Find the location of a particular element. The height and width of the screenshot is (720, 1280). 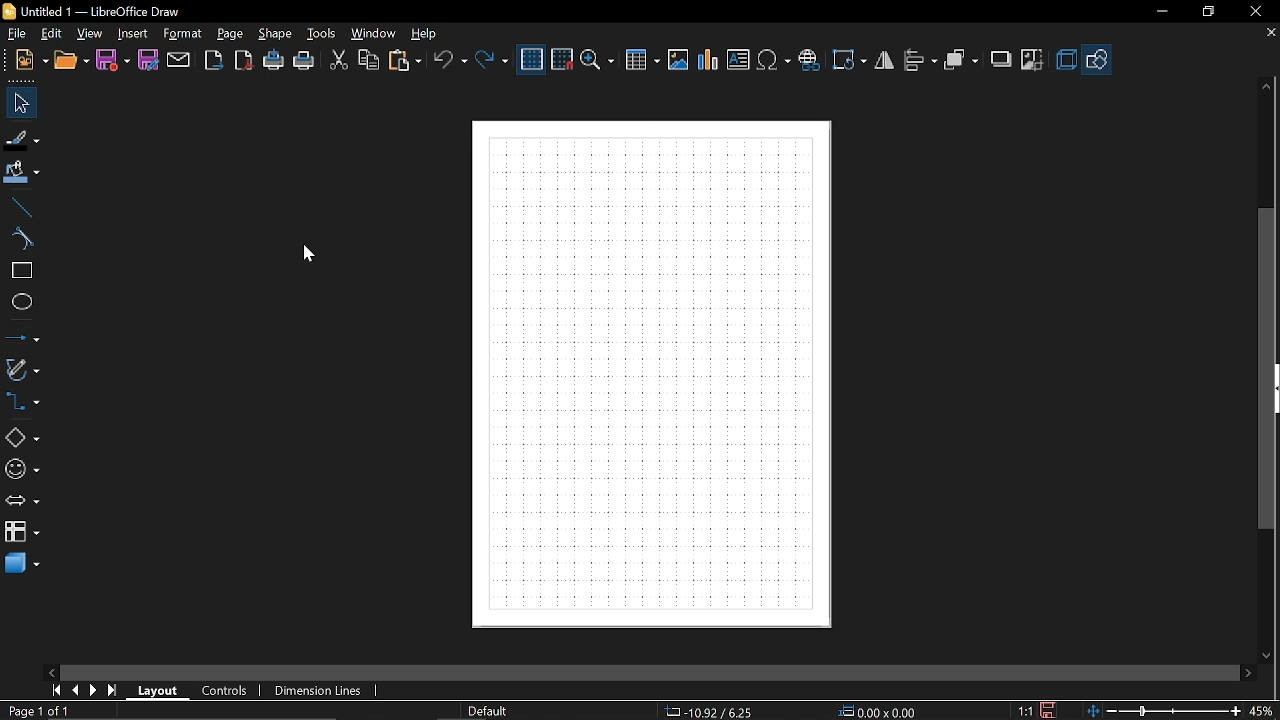

ellipse is located at coordinates (19, 302).